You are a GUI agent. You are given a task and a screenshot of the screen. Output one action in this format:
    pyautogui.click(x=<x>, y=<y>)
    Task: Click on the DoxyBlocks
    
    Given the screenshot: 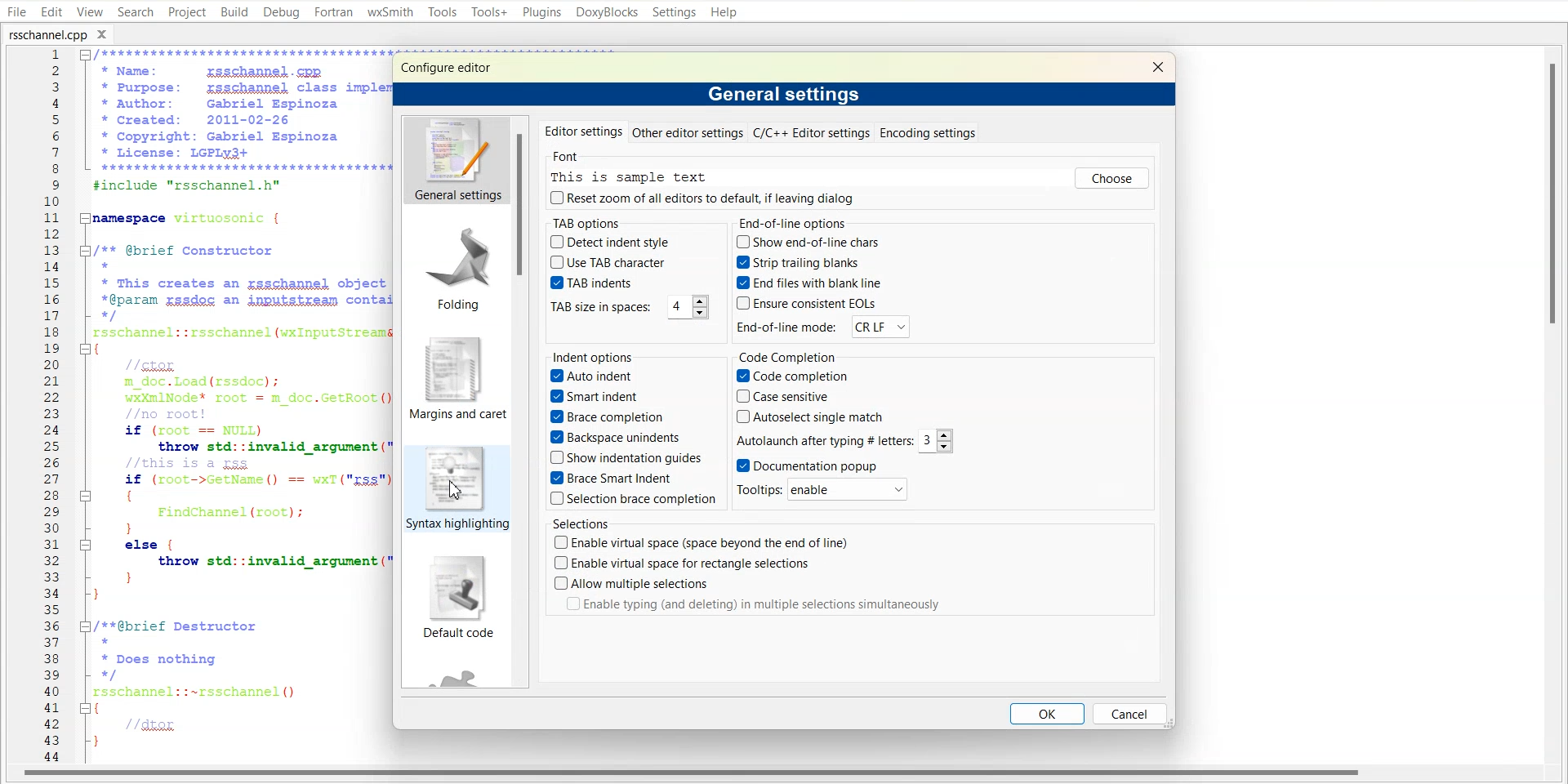 What is the action you would take?
    pyautogui.click(x=606, y=12)
    